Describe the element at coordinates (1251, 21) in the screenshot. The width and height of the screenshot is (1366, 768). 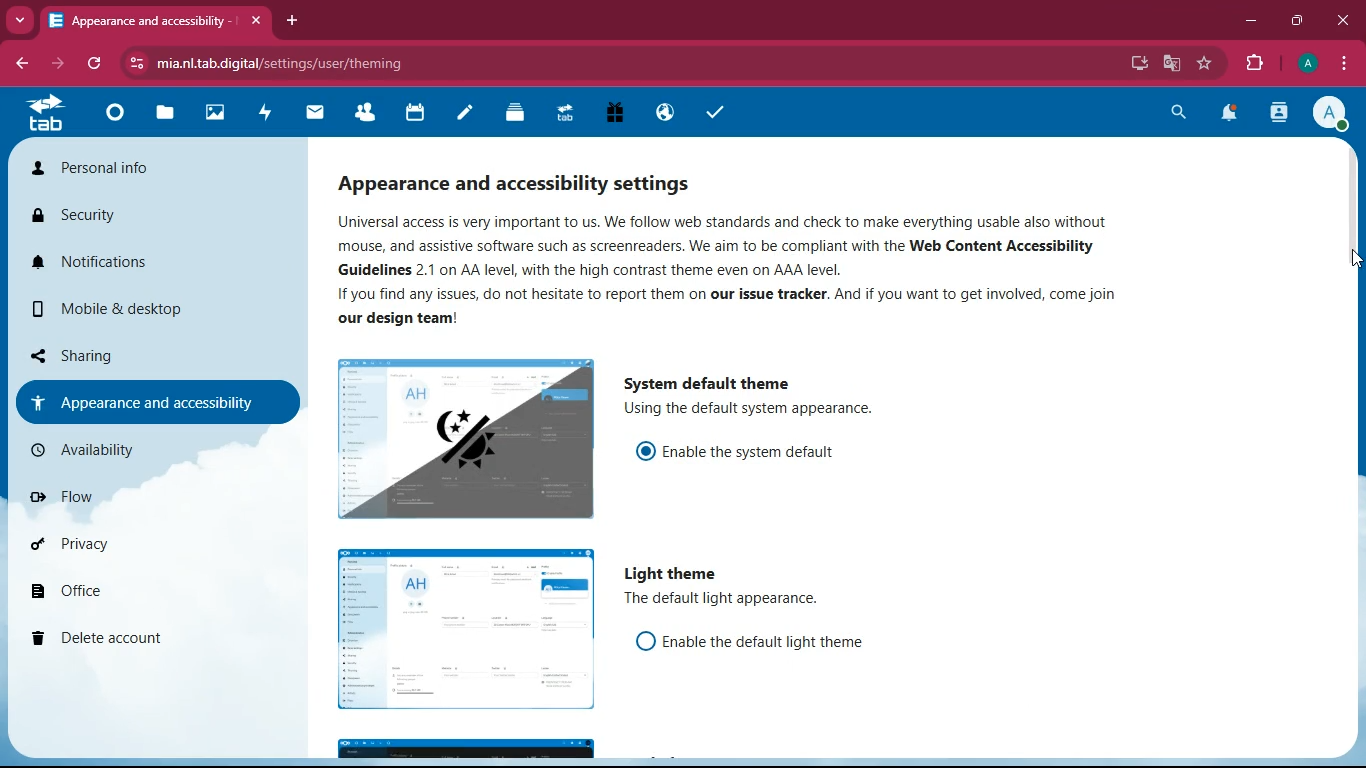
I see `minimize` at that location.